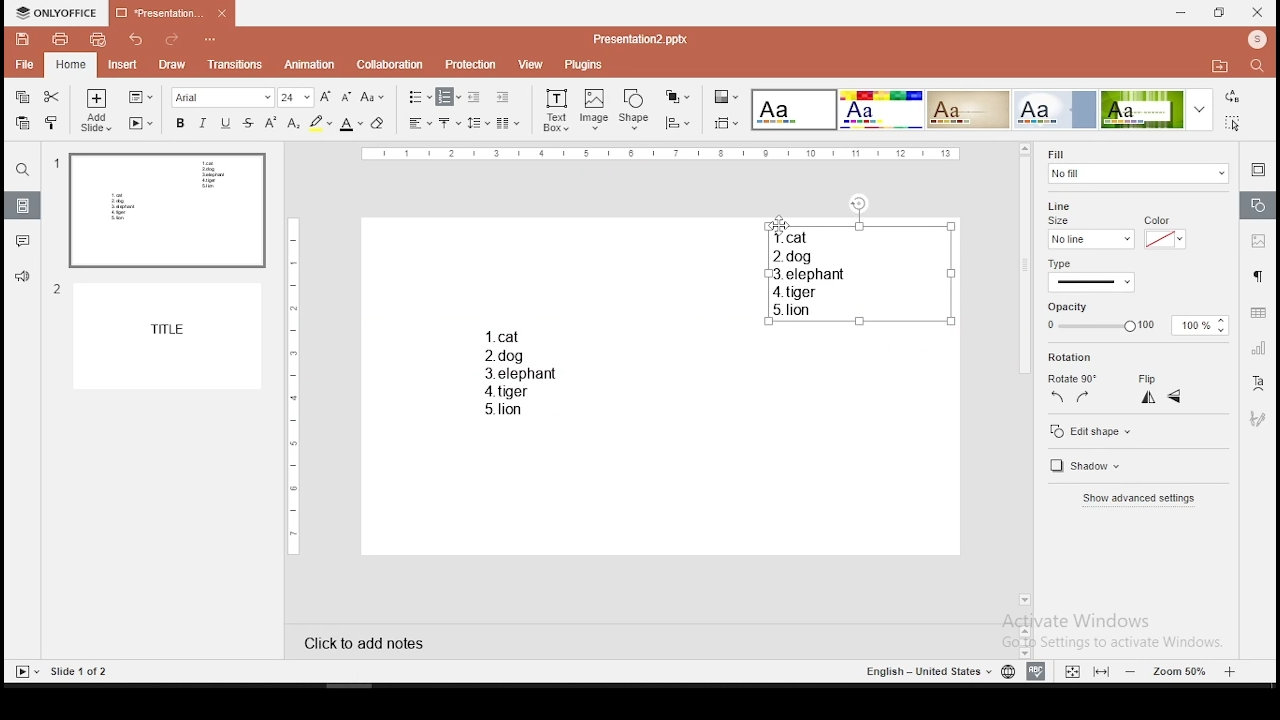  Describe the element at coordinates (1137, 429) in the screenshot. I see `edit shape` at that location.